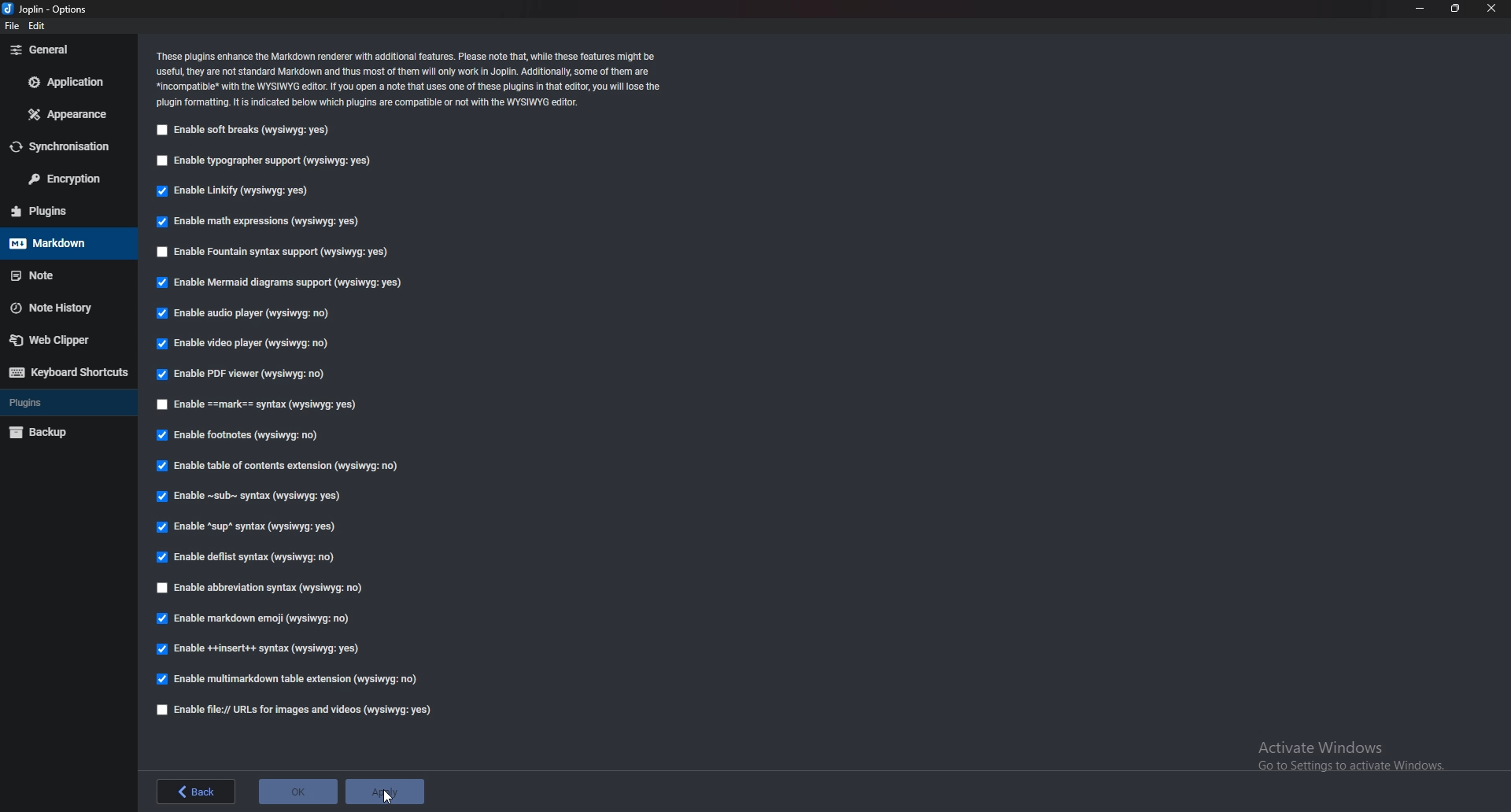 This screenshot has height=812, width=1511. Describe the element at coordinates (70, 371) in the screenshot. I see `Keyboard shortcuts` at that location.